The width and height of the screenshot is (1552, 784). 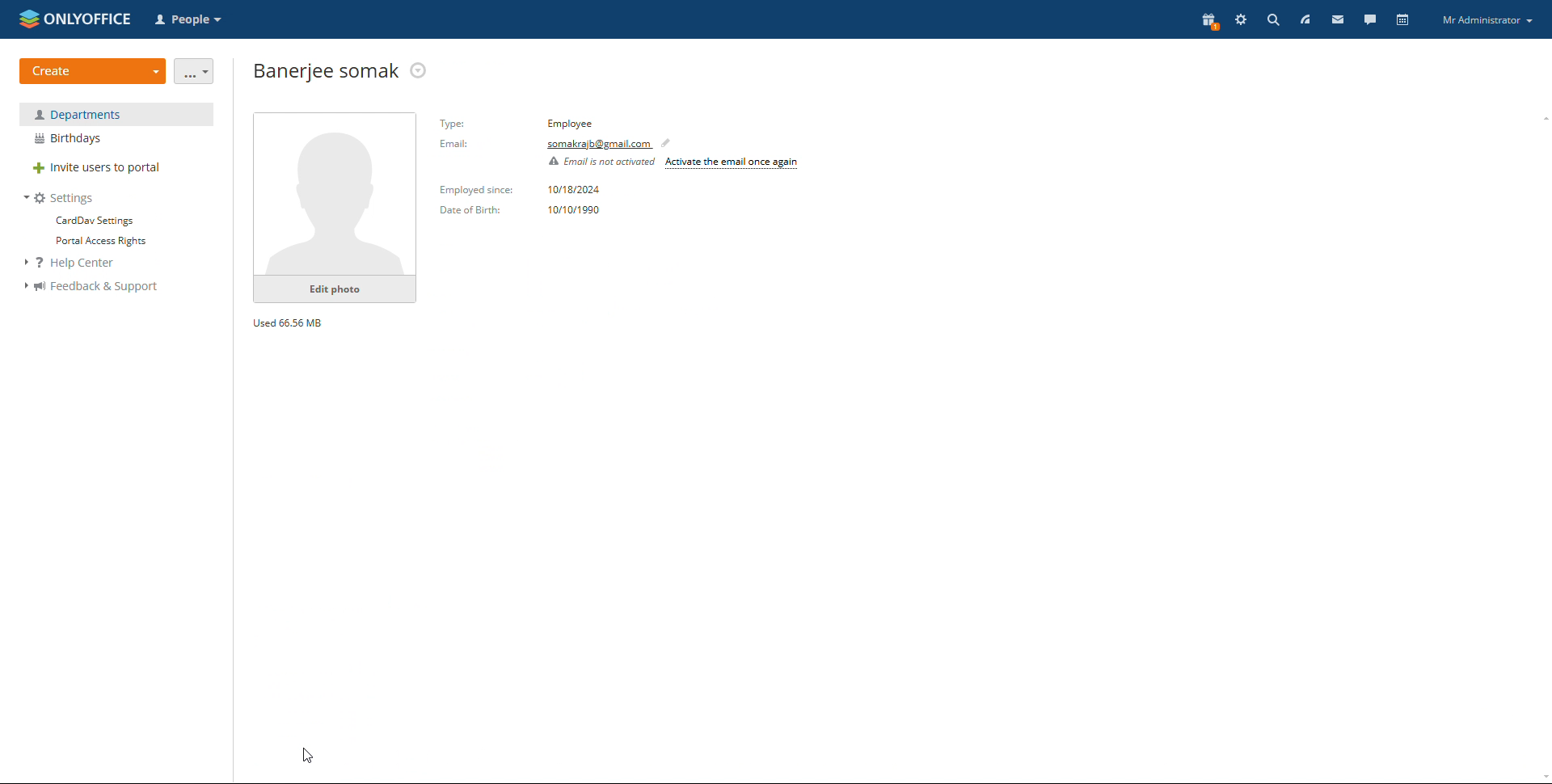 I want to click on actions, so click(x=419, y=70).